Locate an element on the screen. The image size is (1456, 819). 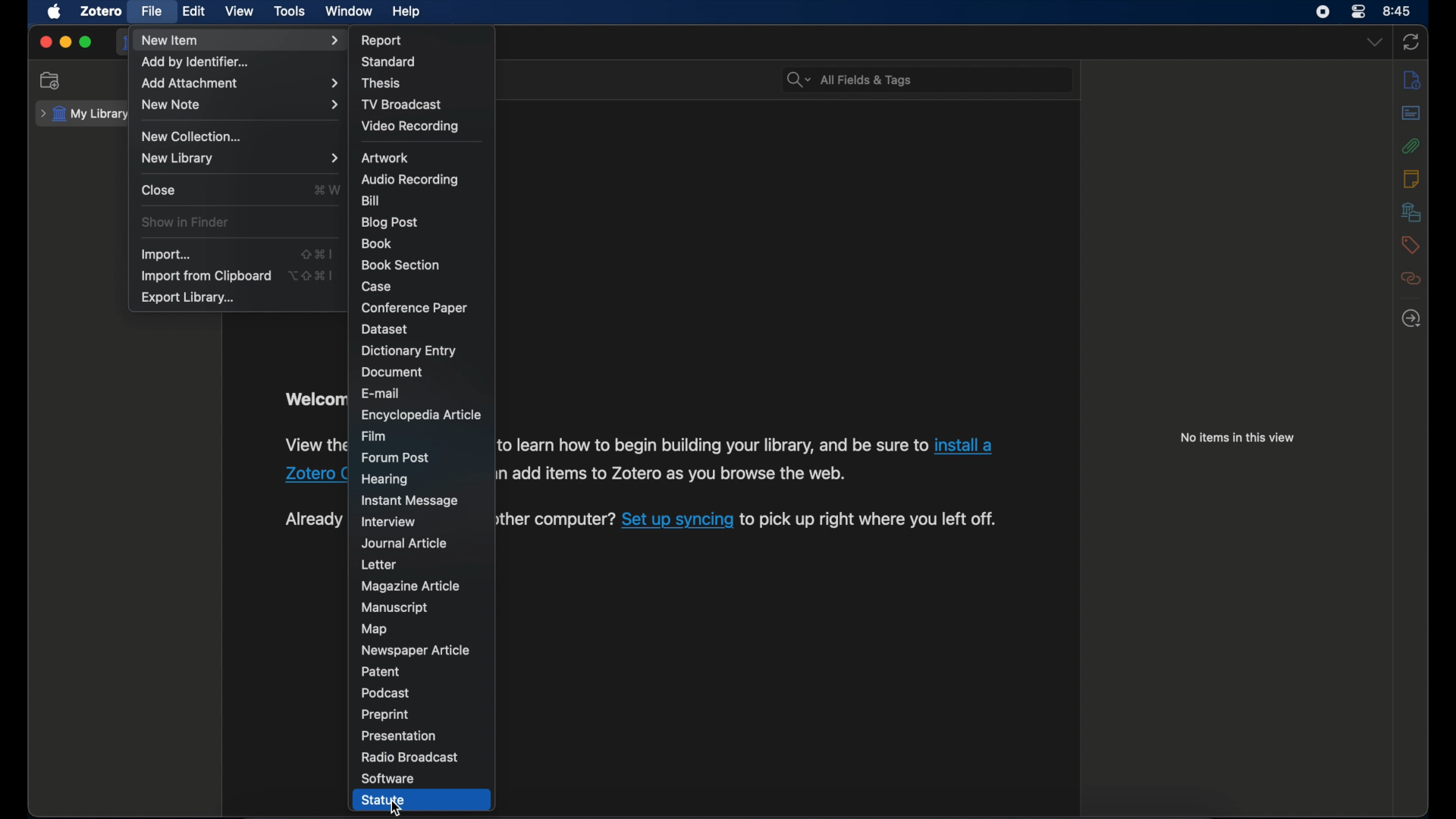
new library is located at coordinates (238, 159).